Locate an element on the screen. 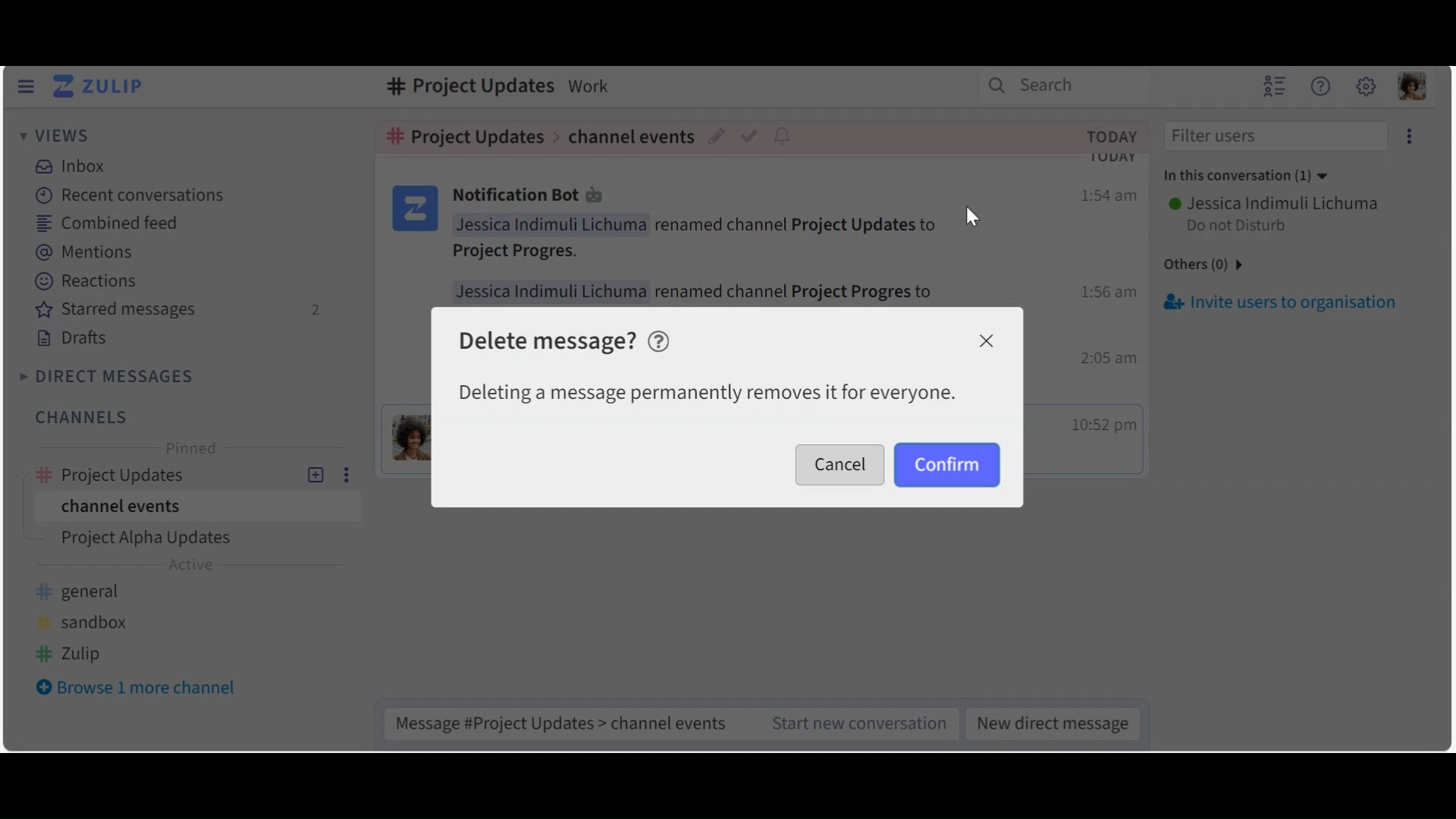 The height and width of the screenshot is (819, 1456). zulip is located at coordinates (72, 651).